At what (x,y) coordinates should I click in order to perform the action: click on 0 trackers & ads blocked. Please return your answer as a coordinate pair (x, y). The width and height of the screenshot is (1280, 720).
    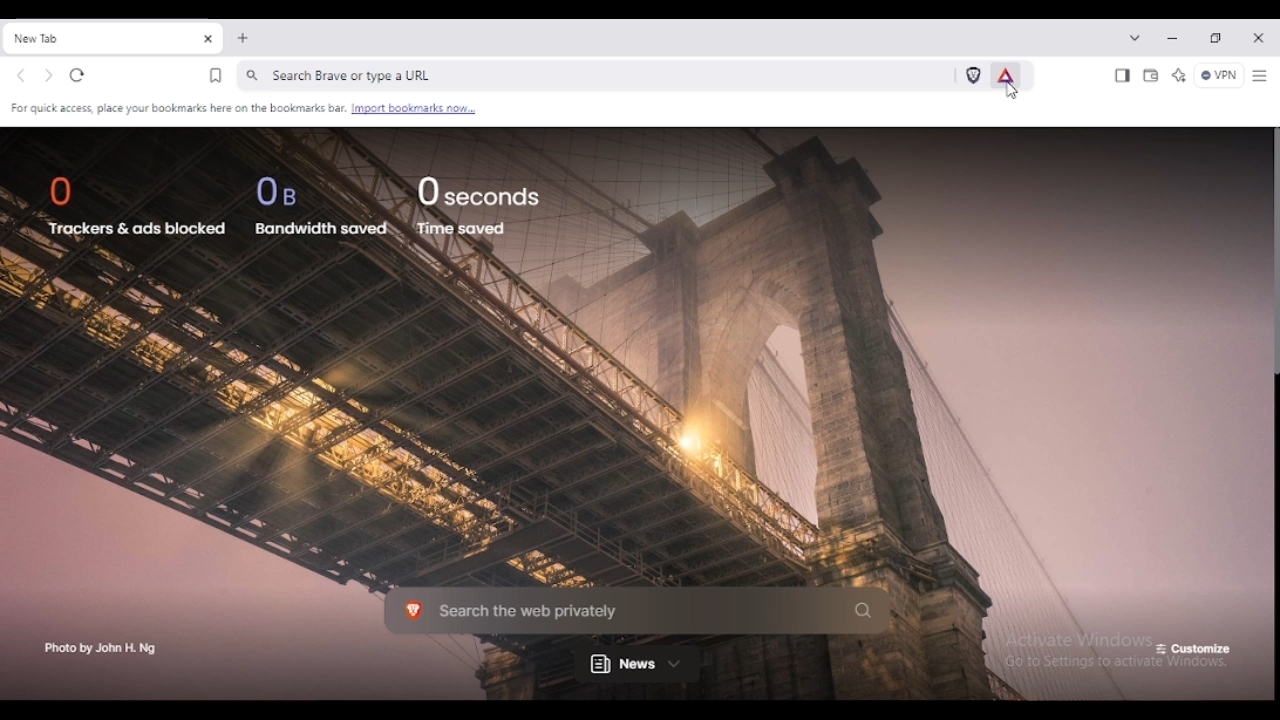
    Looking at the image, I should click on (134, 205).